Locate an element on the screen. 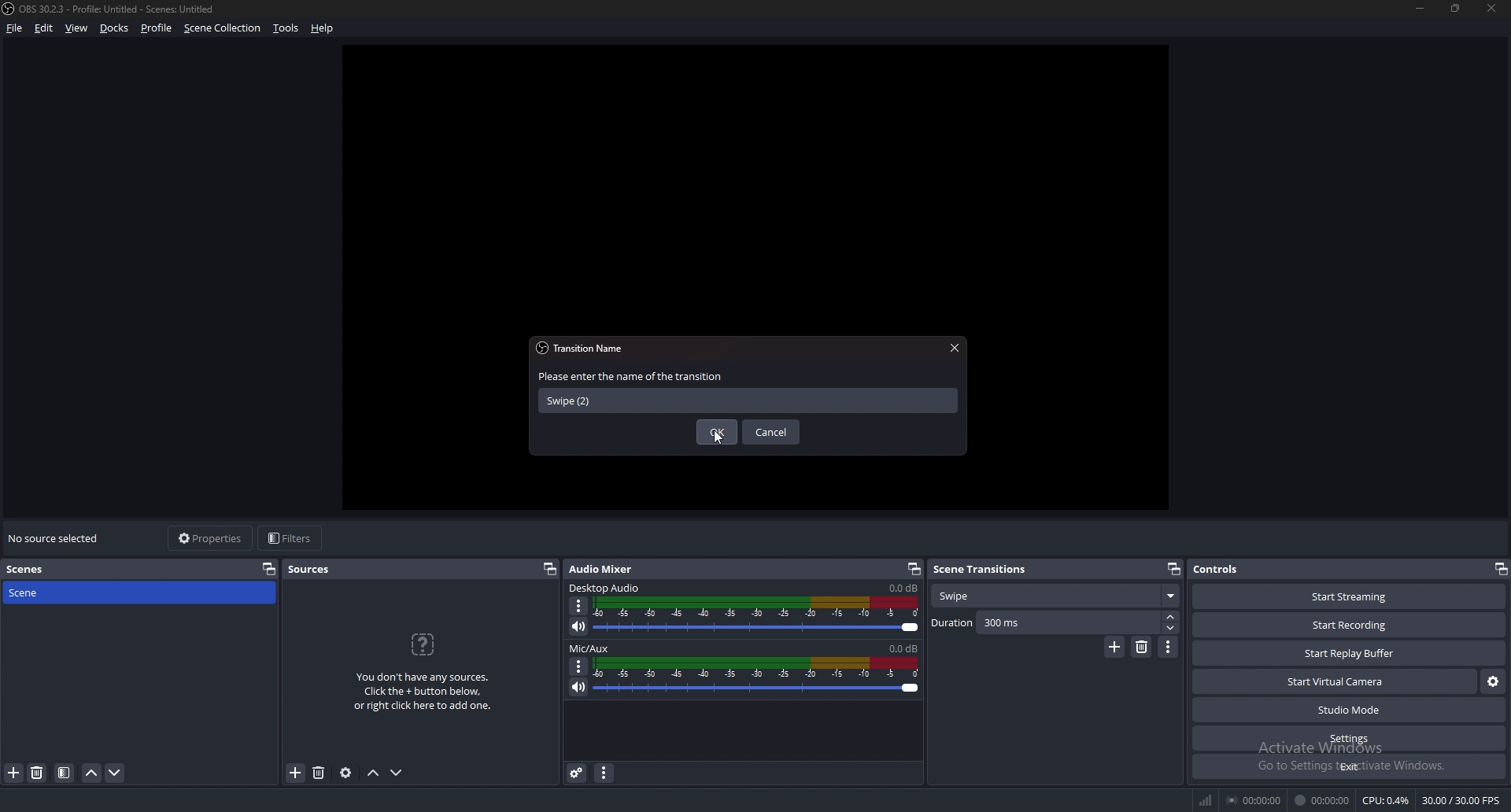 The height and width of the screenshot is (812, 1511). name input is located at coordinates (748, 401).